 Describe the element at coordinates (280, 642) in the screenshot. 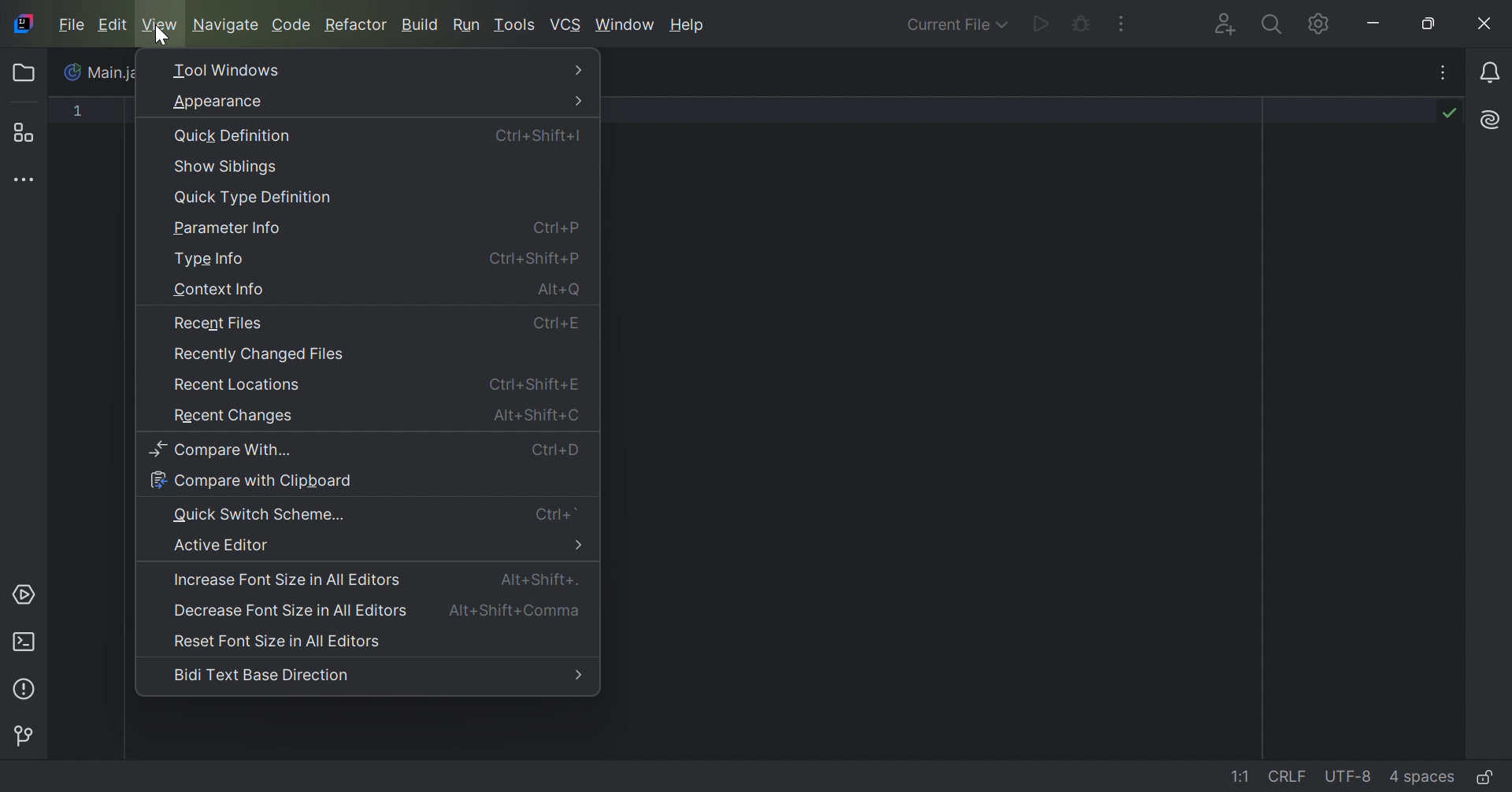

I see `Reset Font Size in All Editors` at that location.